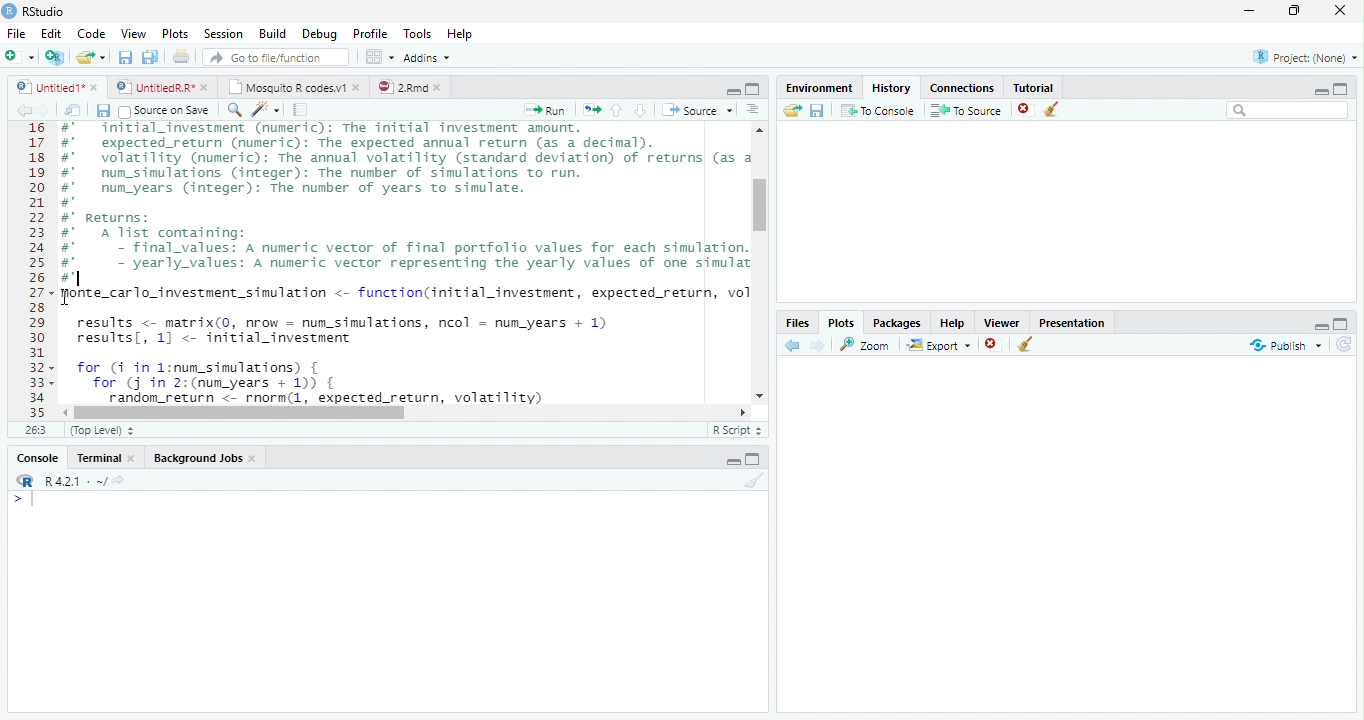  What do you see at coordinates (762, 205) in the screenshot?
I see `Scroll Bar` at bounding box center [762, 205].